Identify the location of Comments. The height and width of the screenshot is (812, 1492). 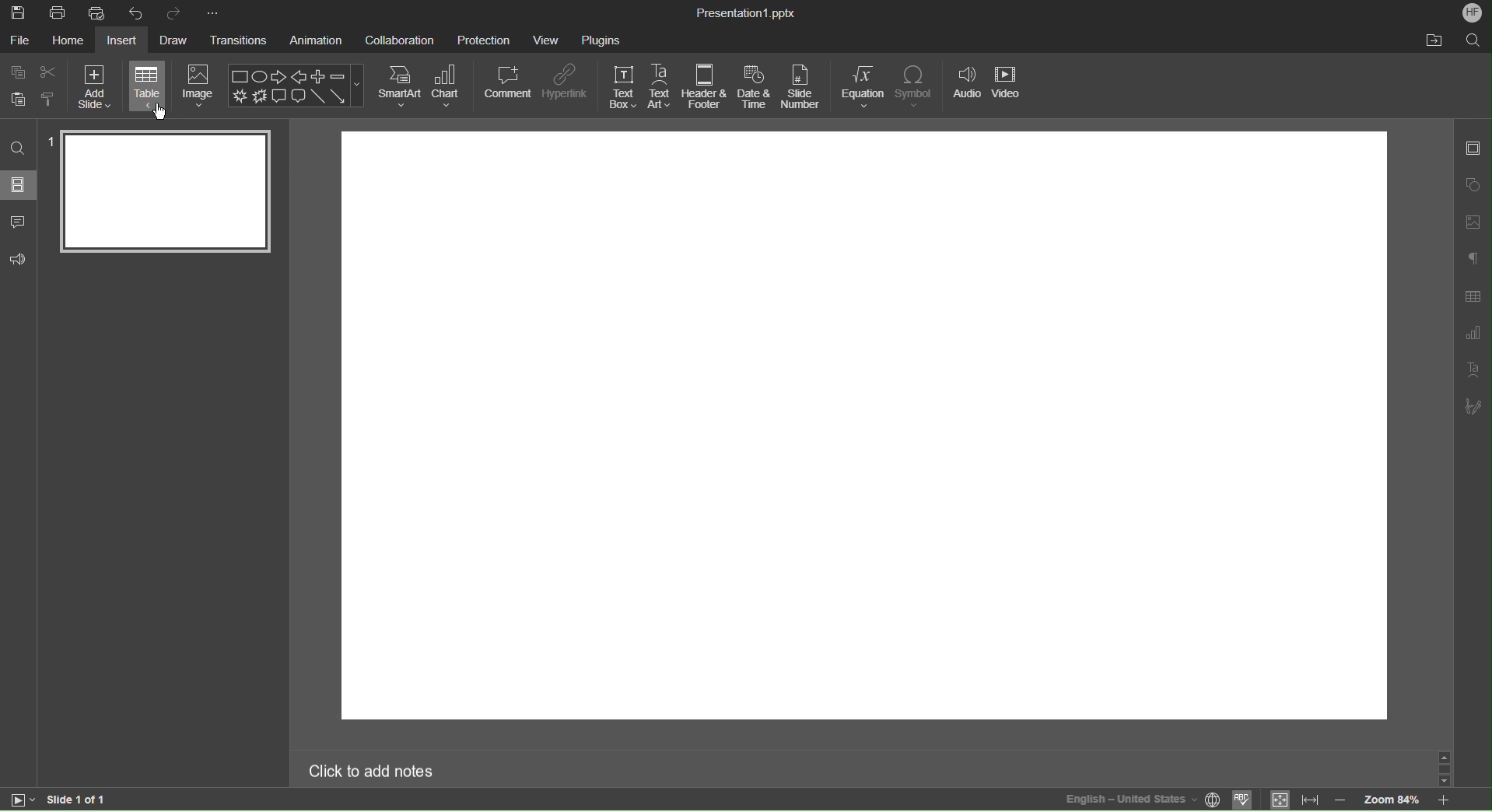
(19, 222).